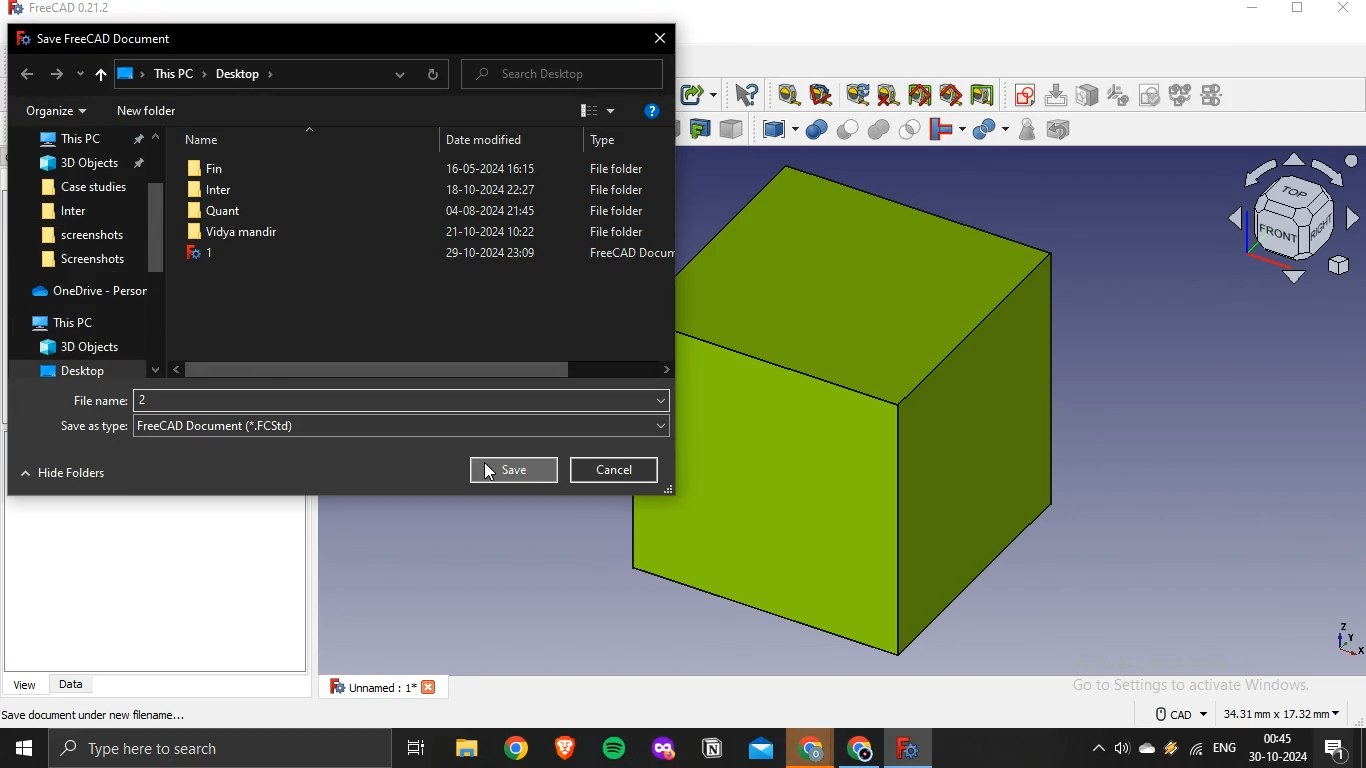  What do you see at coordinates (889, 95) in the screenshot?
I see `clear all` at bounding box center [889, 95].